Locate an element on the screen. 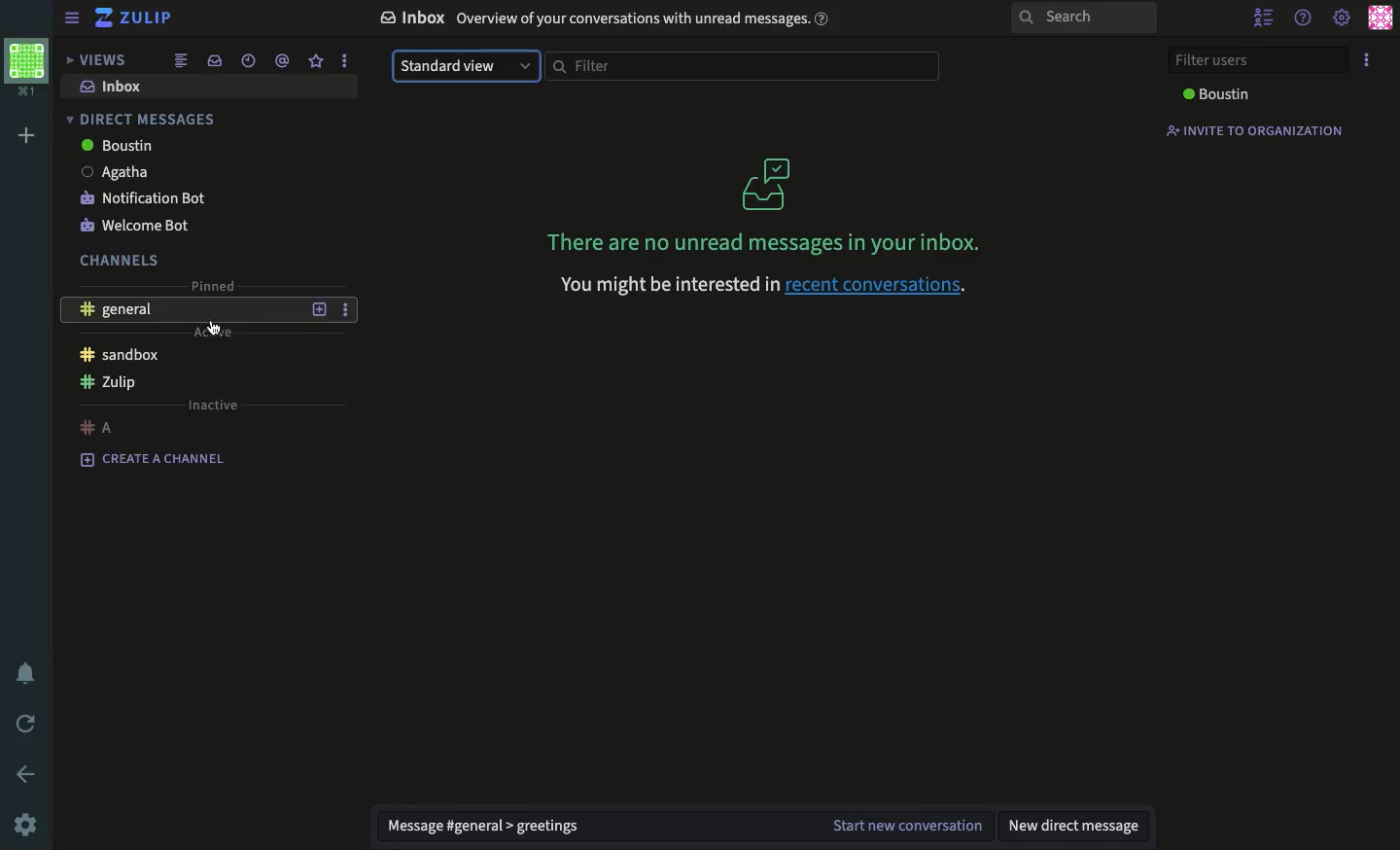 This screenshot has width=1400, height=850. inbox is located at coordinates (213, 61).